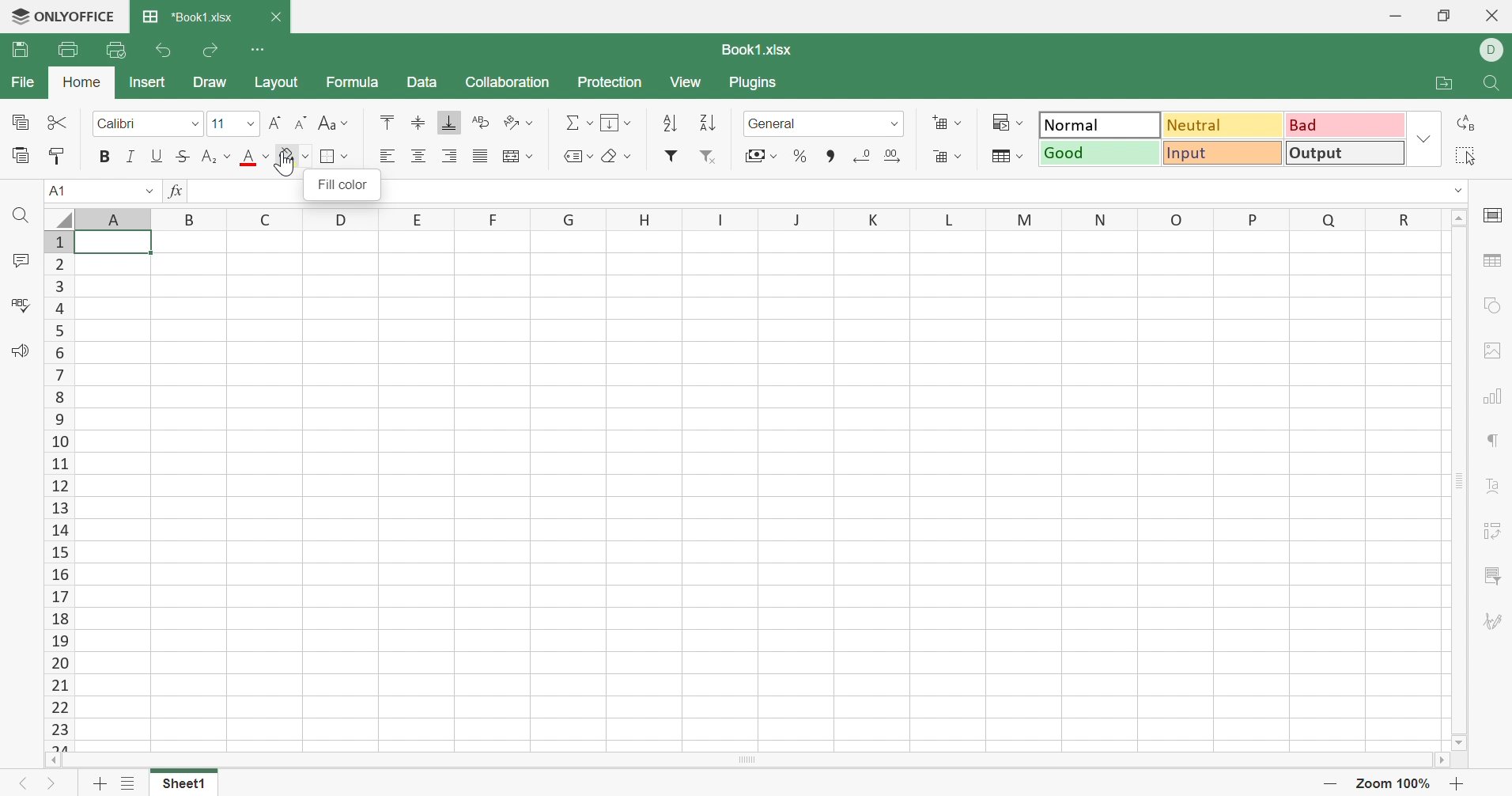 The height and width of the screenshot is (796, 1512). Describe the element at coordinates (1491, 397) in the screenshot. I see `Chart settings` at that location.